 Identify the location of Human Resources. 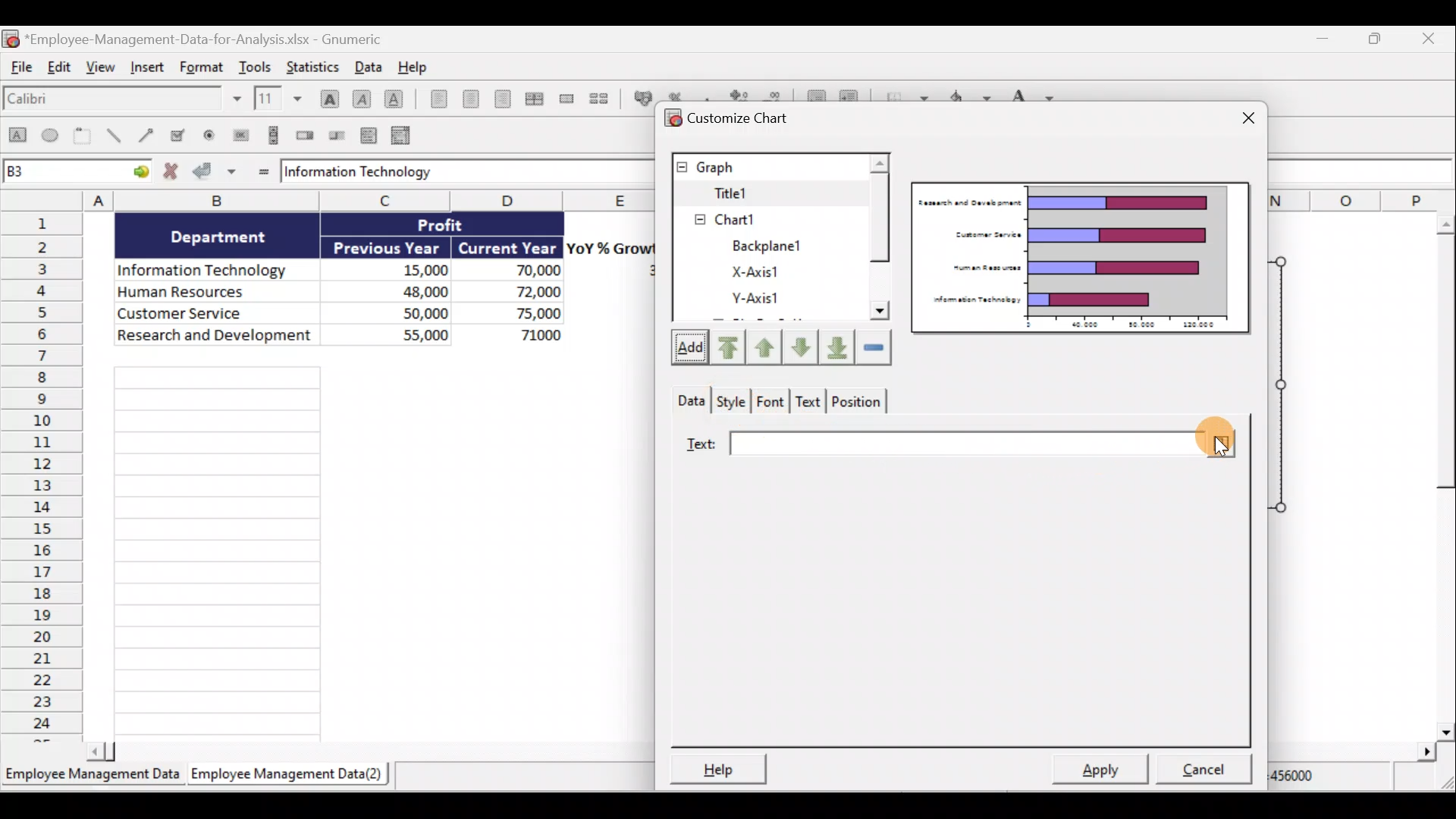
(211, 293).